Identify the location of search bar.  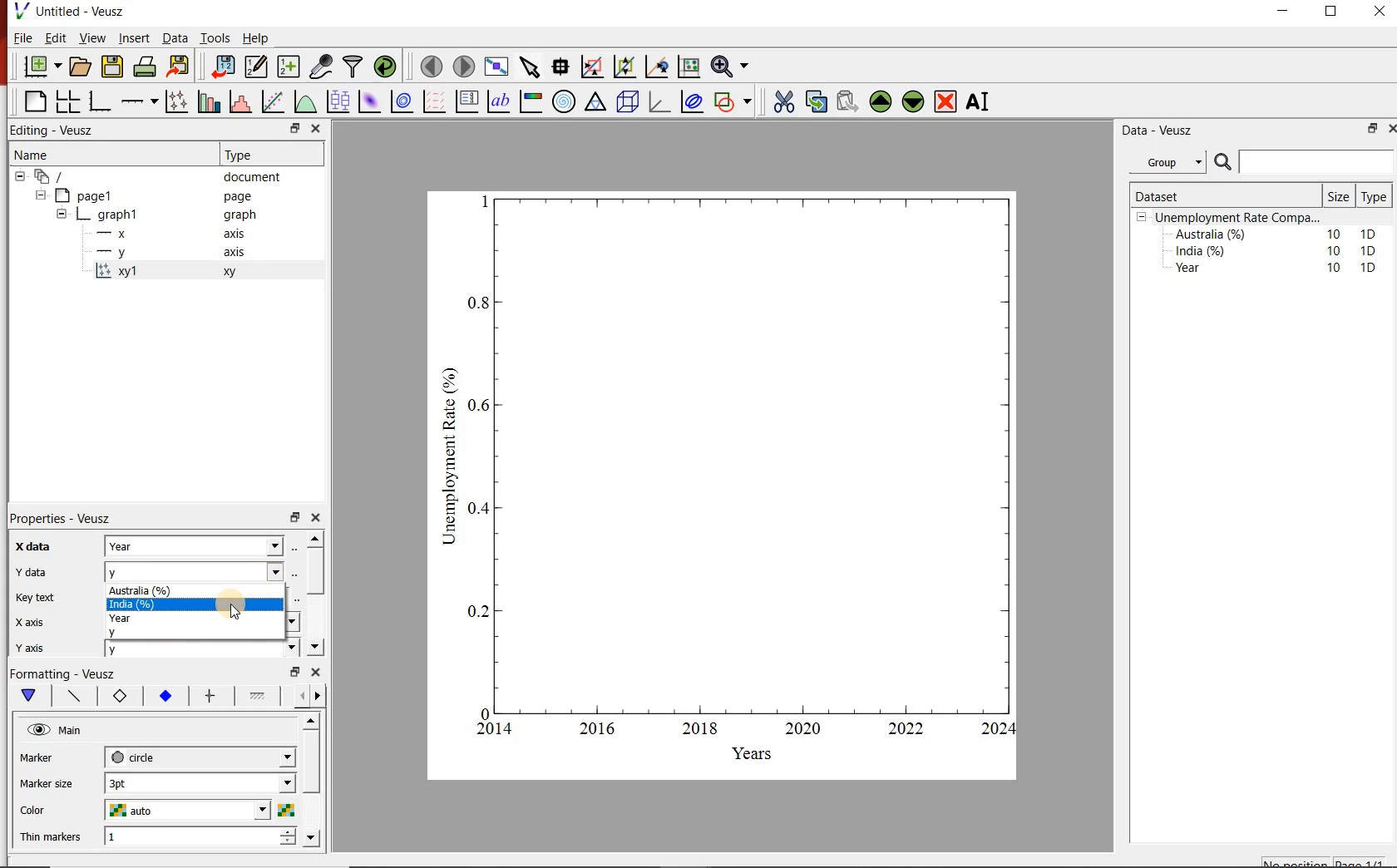
(1302, 162).